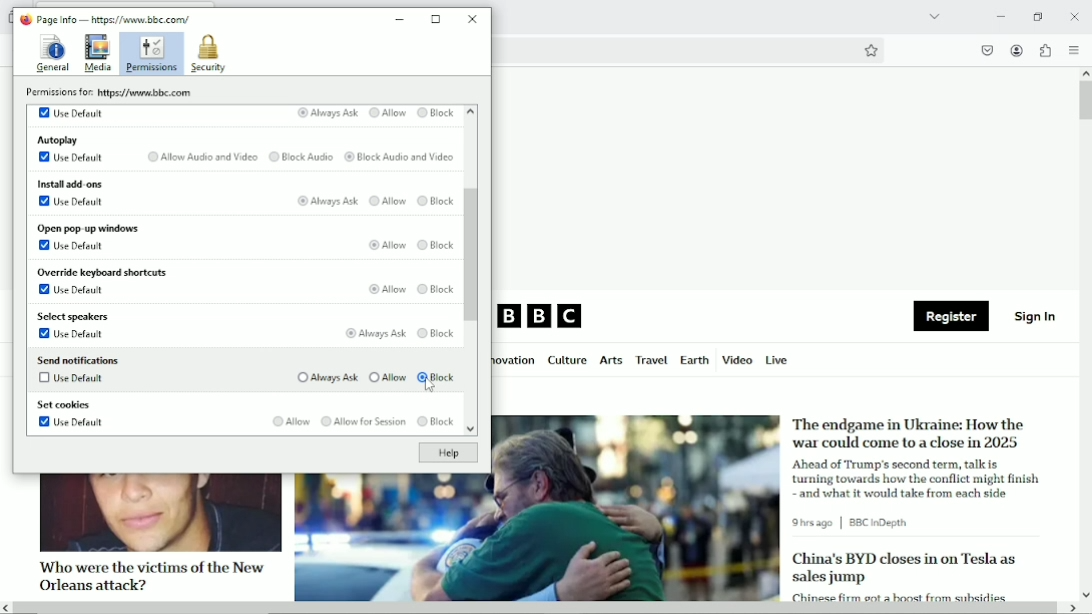  What do you see at coordinates (610, 362) in the screenshot?
I see `Arts` at bounding box center [610, 362].